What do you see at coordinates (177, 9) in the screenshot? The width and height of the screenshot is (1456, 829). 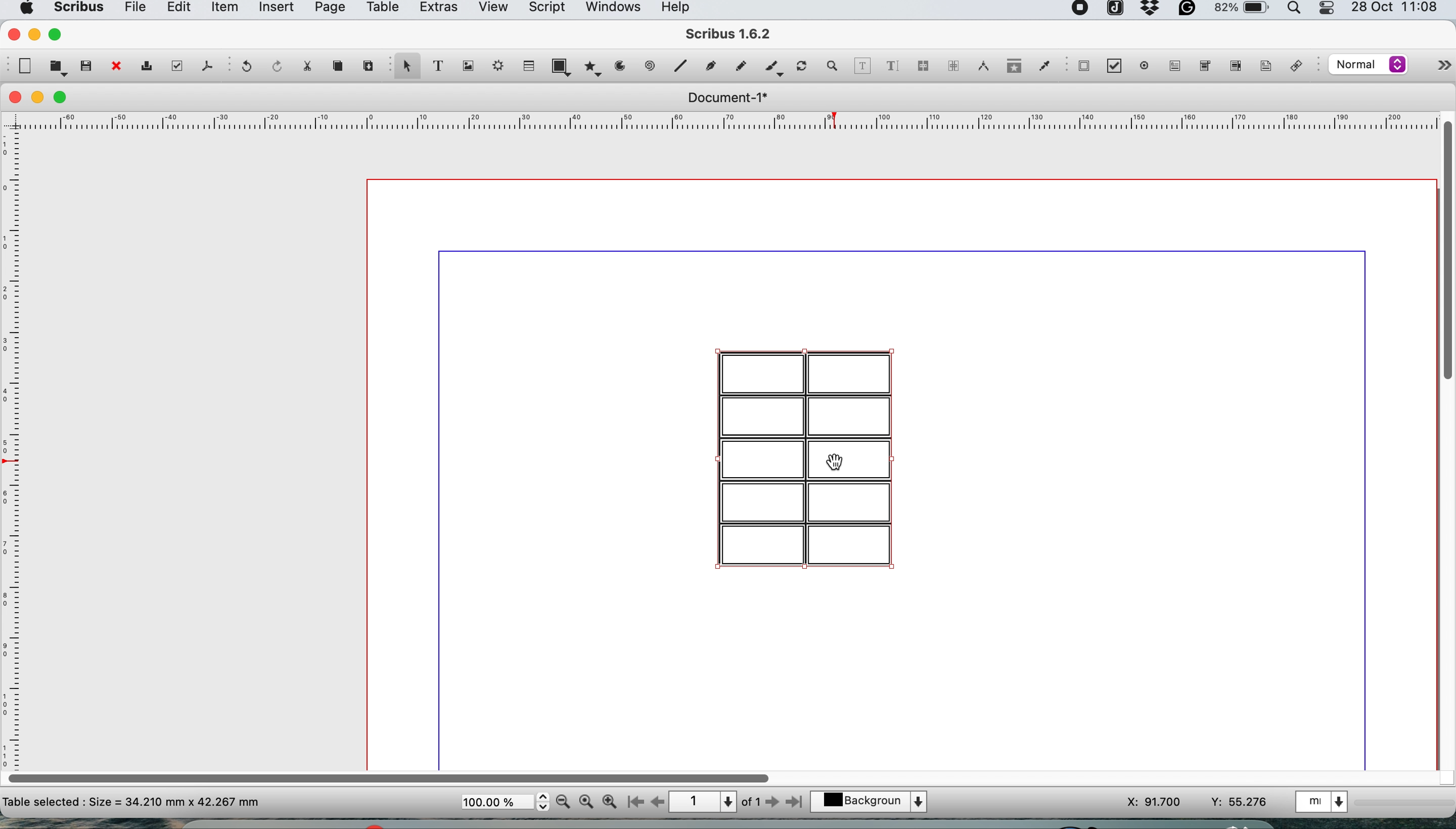 I see `edit` at bounding box center [177, 9].